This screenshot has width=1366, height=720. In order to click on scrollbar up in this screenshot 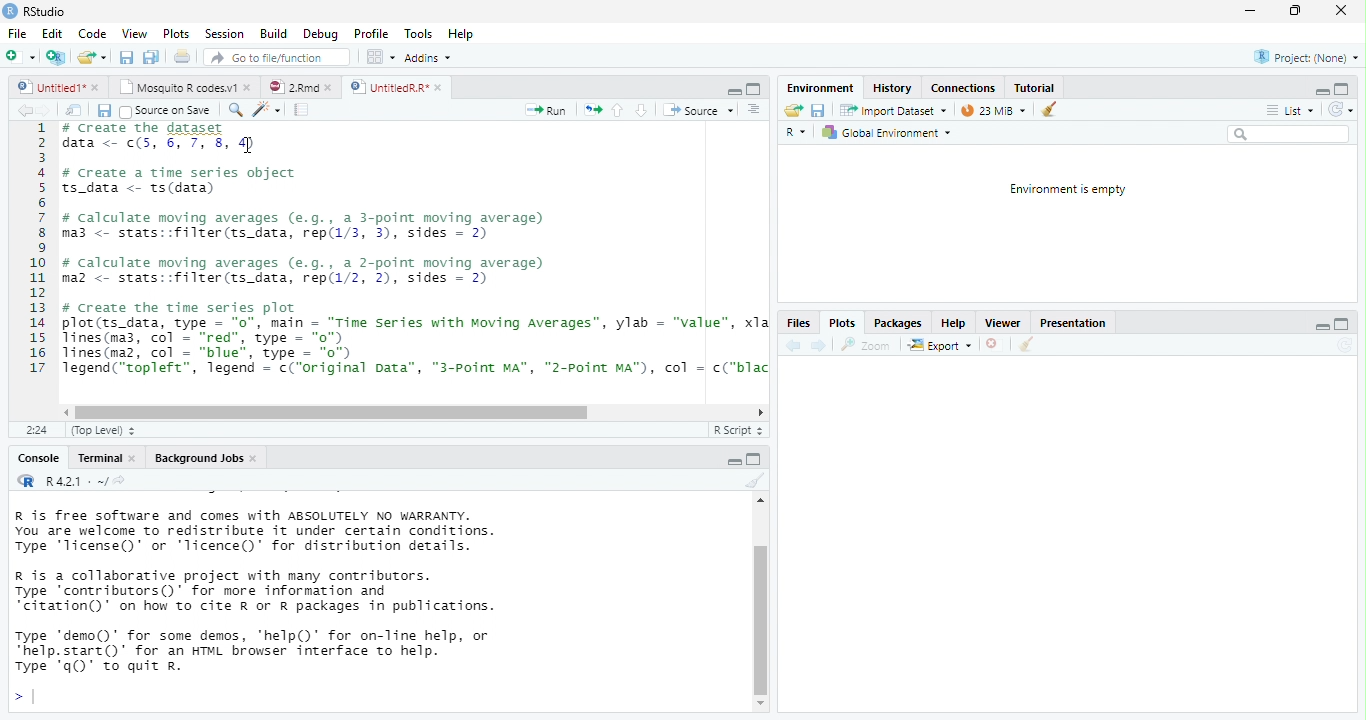, I will do `click(758, 503)`.